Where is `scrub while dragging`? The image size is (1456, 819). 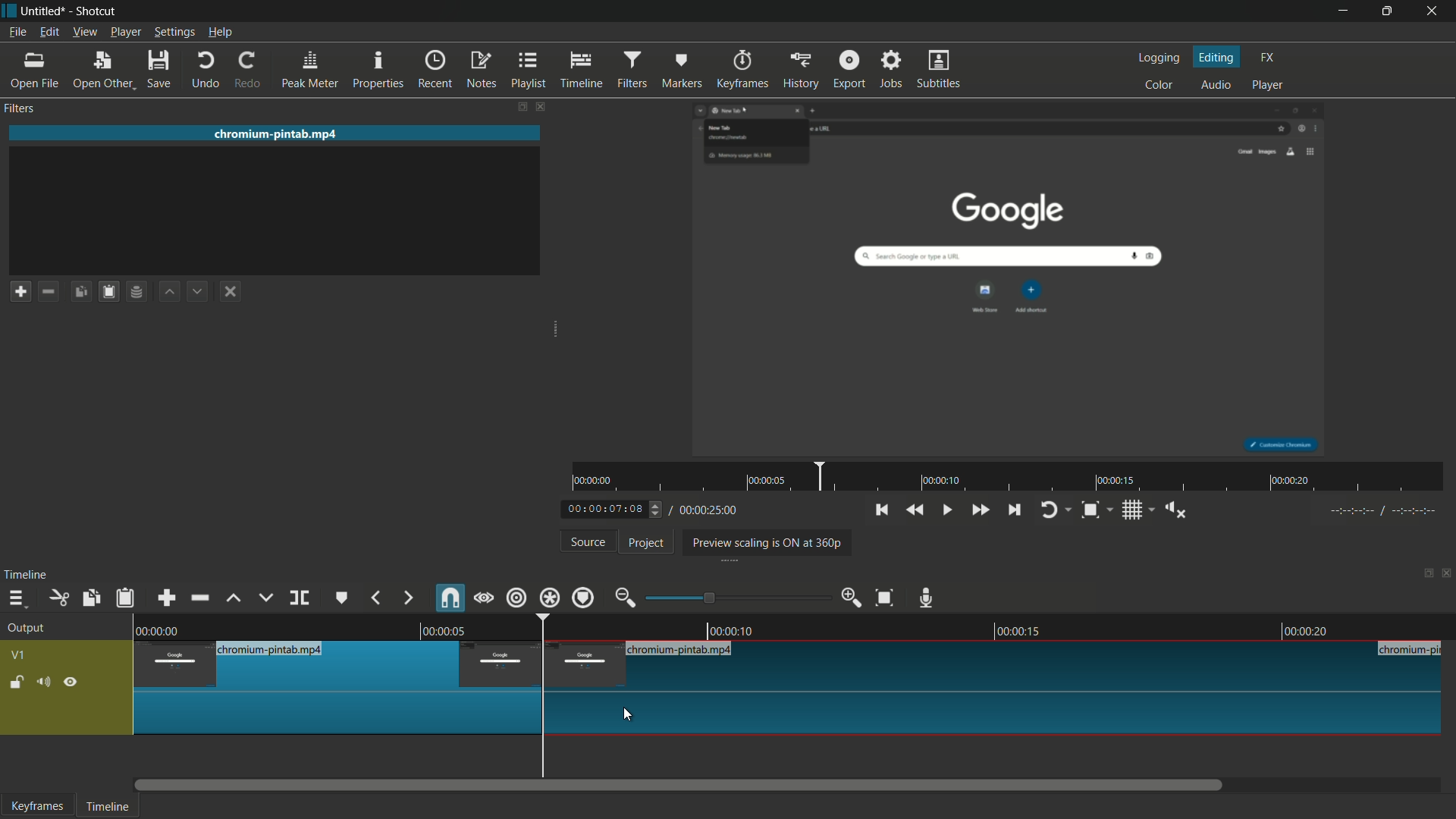
scrub while dragging is located at coordinates (485, 600).